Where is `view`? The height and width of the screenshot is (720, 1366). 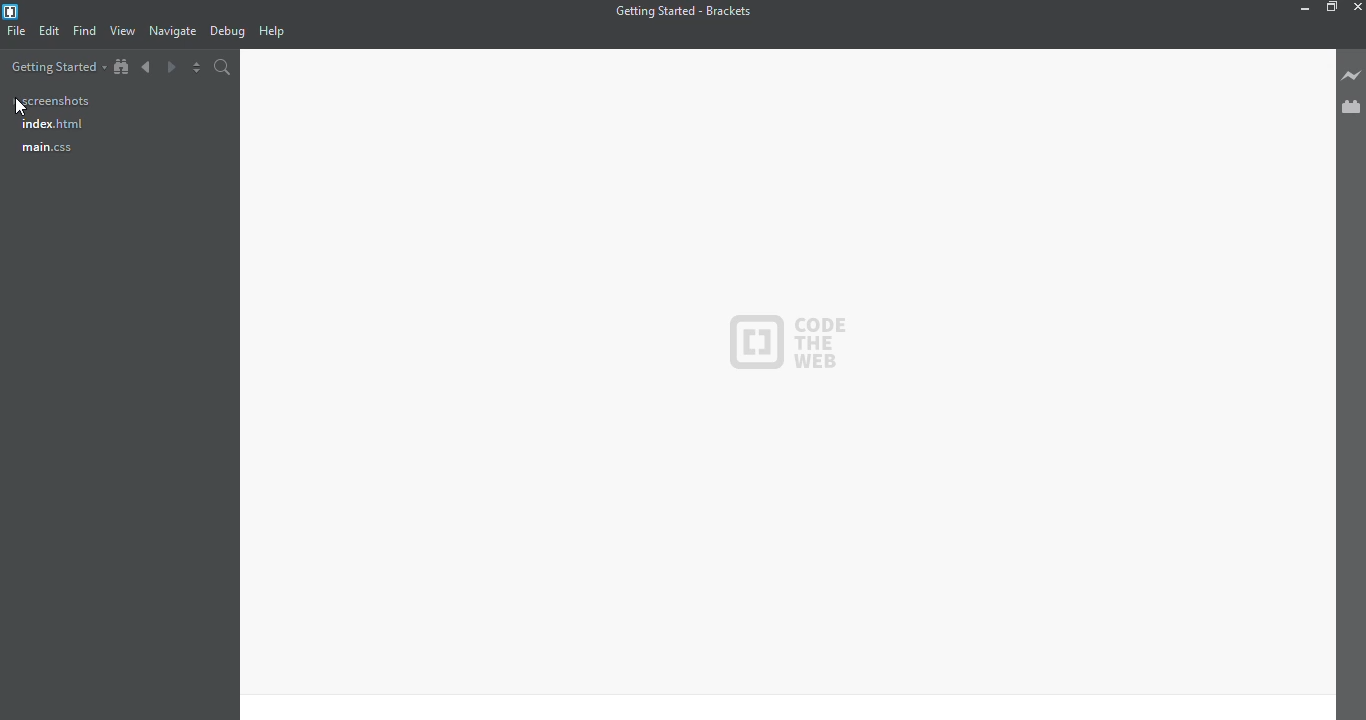
view is located at coordinates (123, 31).